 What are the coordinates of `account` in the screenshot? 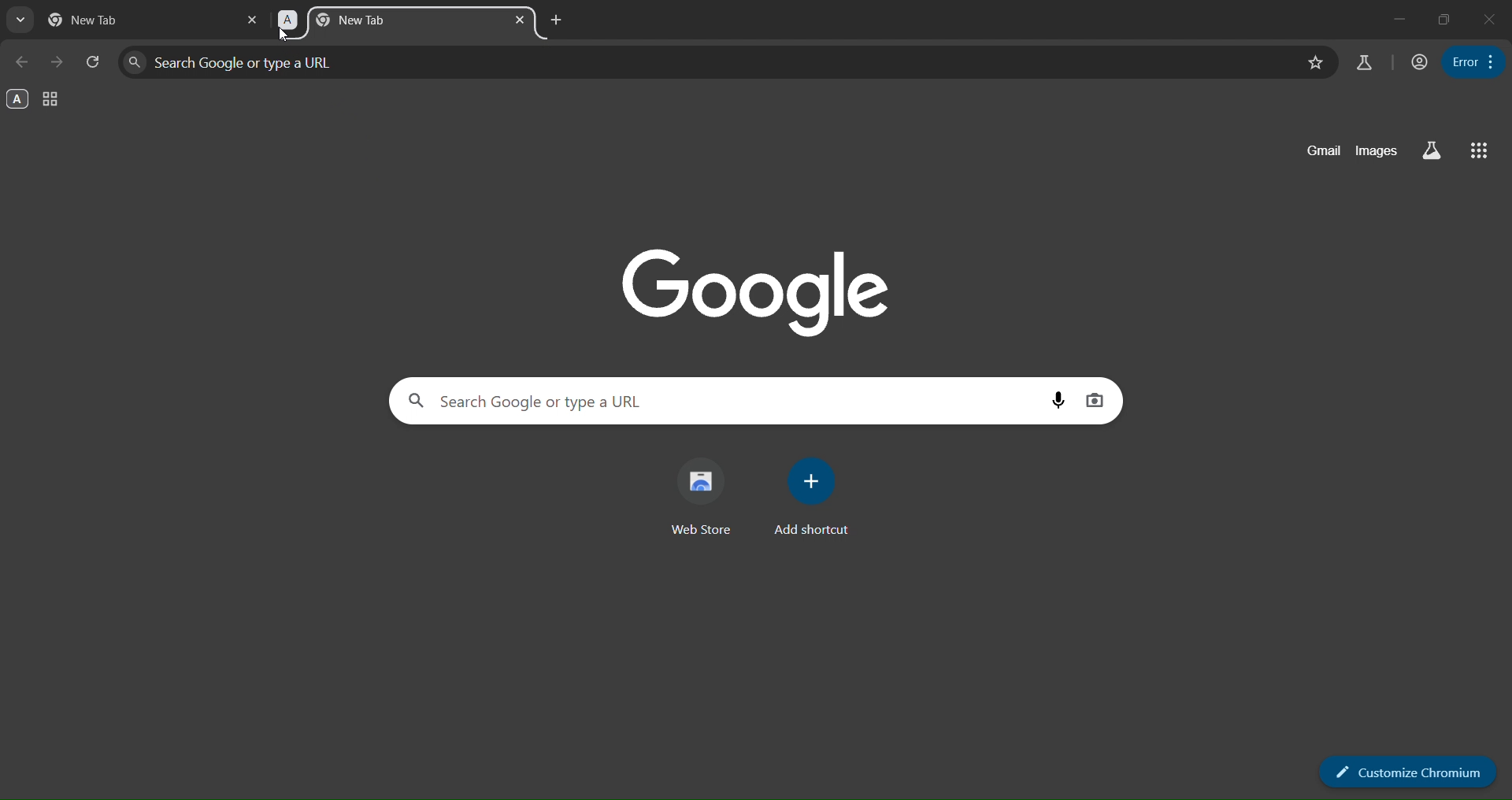 It's located at (1416, 62).